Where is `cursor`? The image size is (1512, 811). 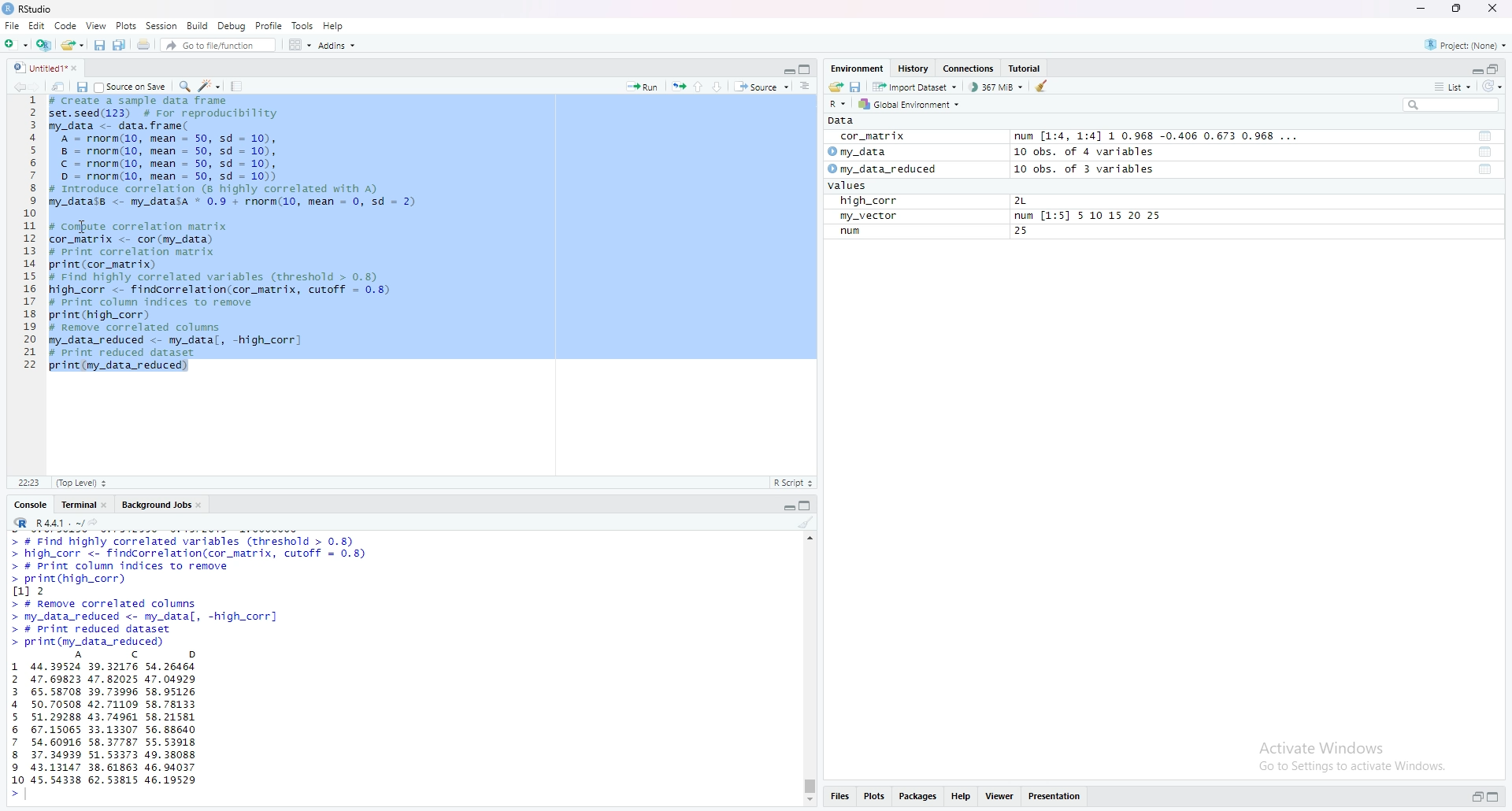 cursor is located at coordinates (82, 227).